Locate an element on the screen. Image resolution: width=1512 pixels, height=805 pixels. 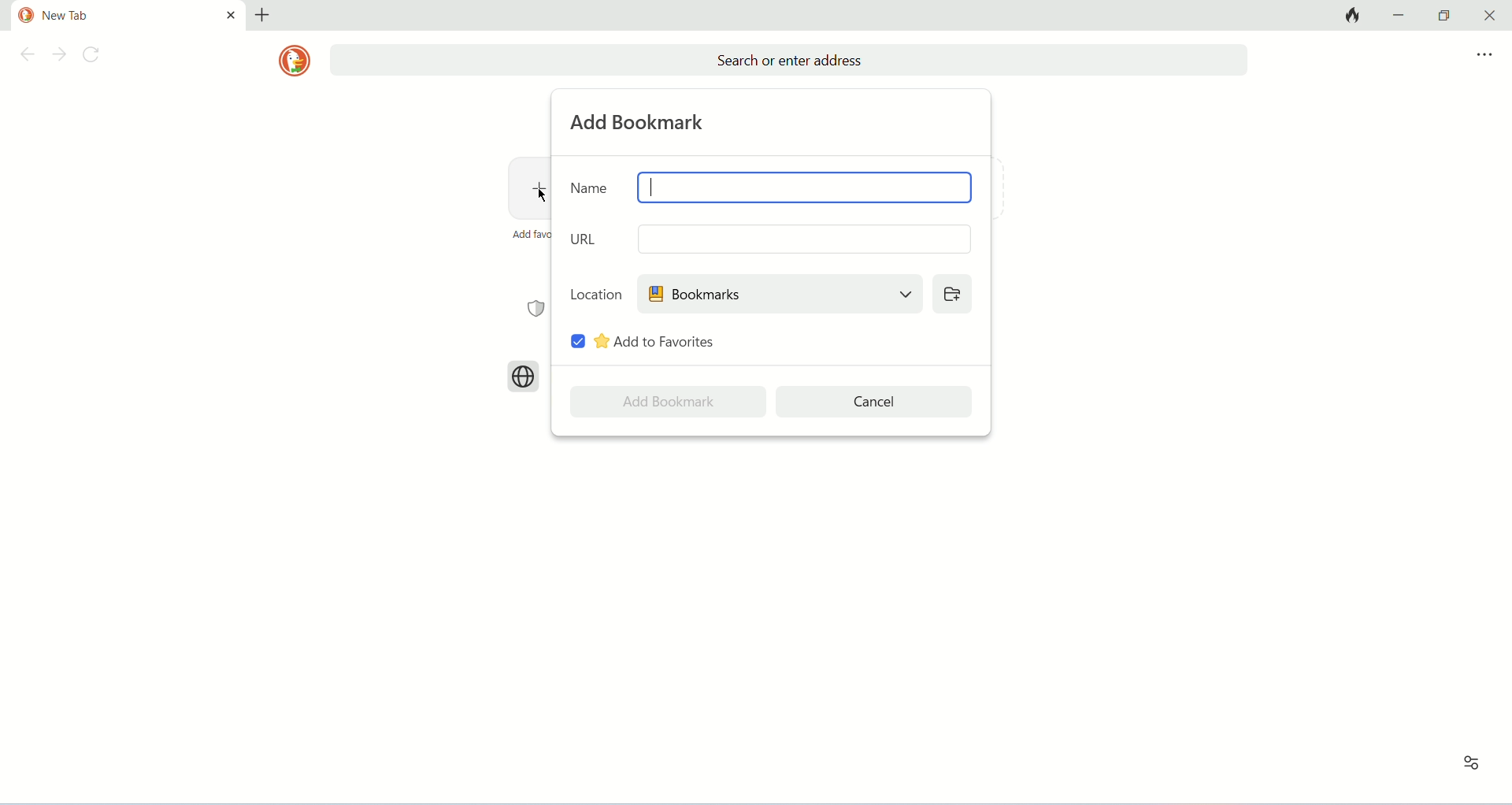
search or enter address is located at coordinates (788, 61).